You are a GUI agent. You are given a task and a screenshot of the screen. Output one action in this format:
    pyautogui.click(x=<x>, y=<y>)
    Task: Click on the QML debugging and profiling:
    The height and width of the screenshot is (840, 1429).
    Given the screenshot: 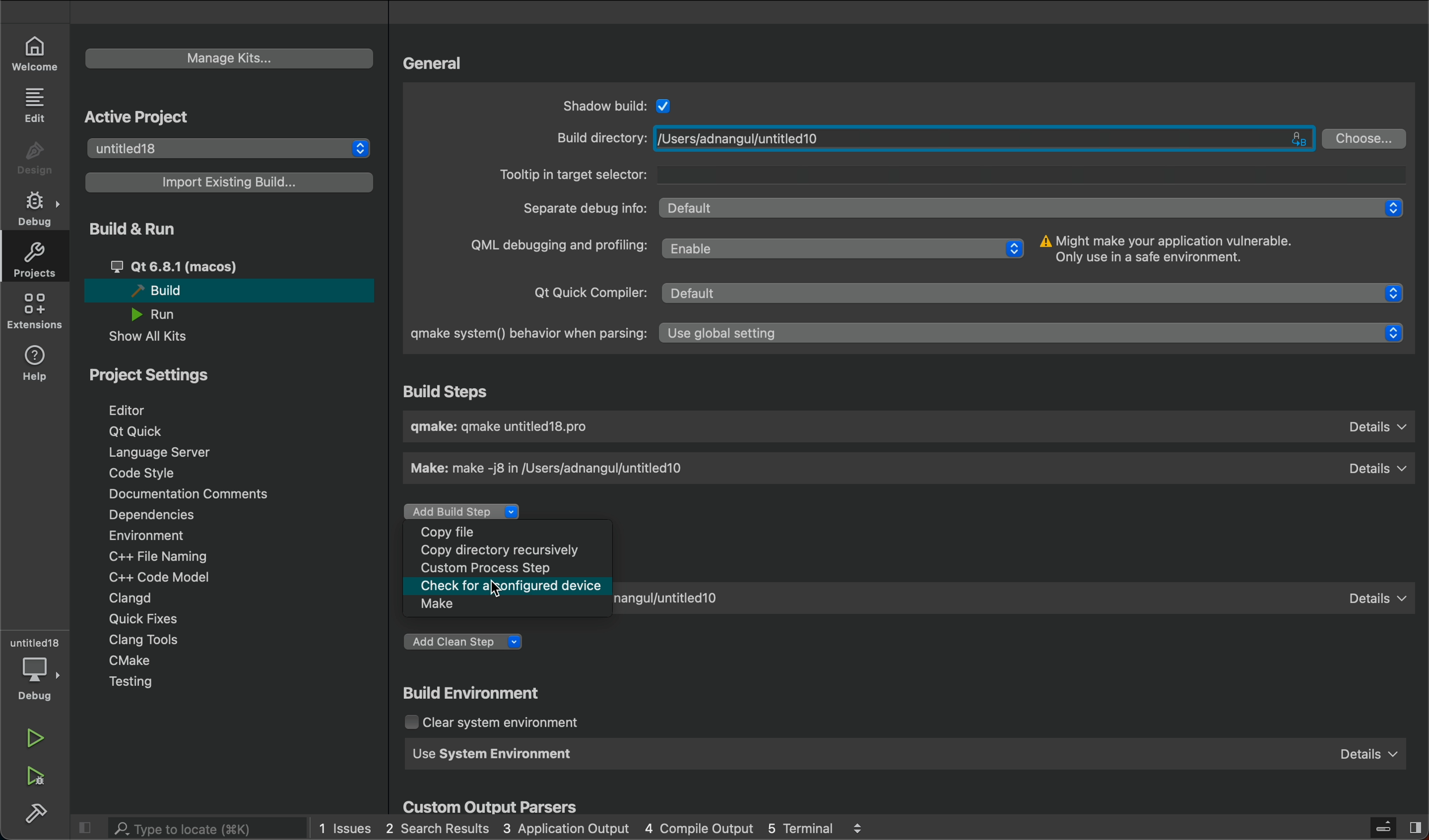 What is the action you would take?
    pyautogui.click(x=556, y=245)
    